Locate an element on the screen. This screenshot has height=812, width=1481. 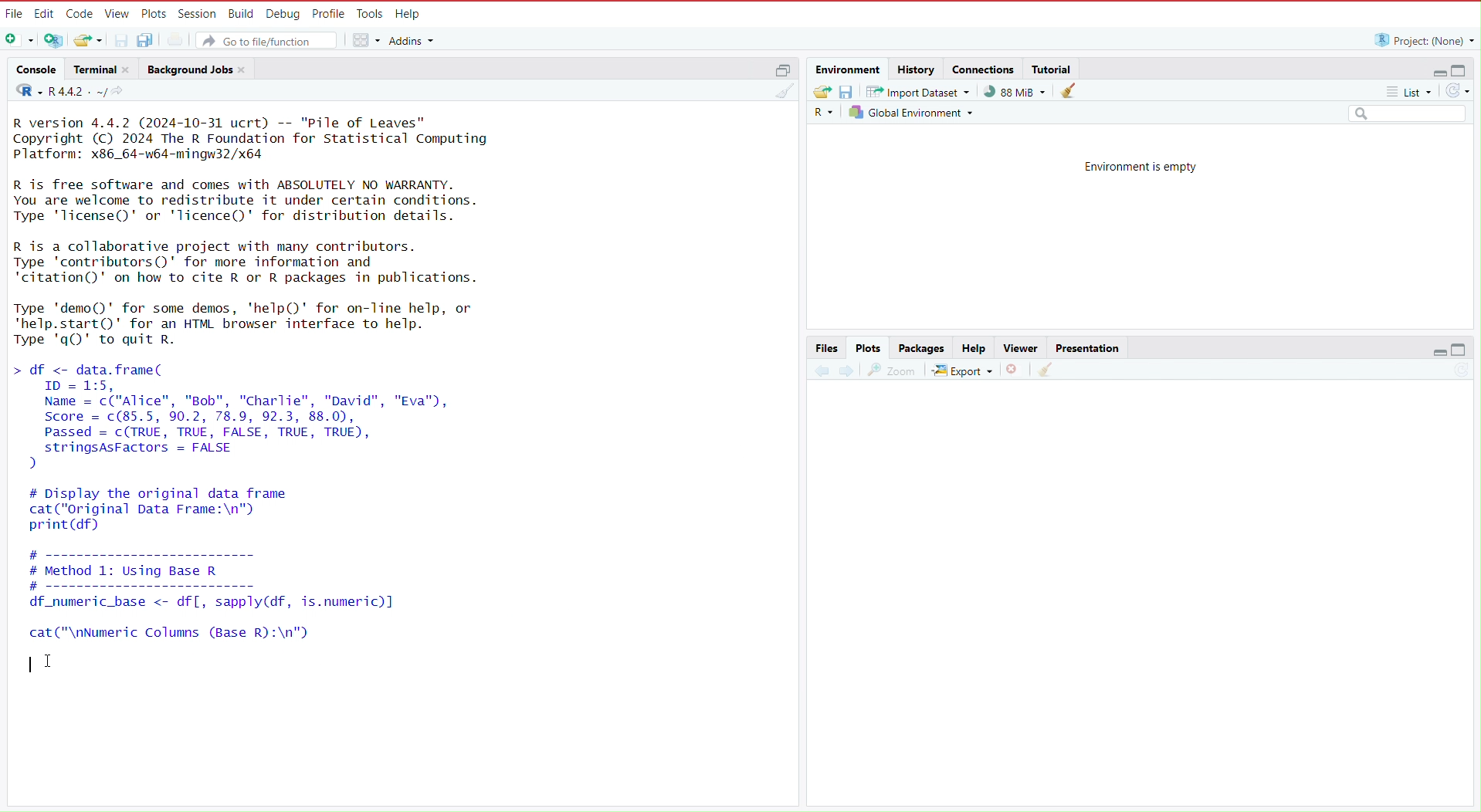
Open an existing file is located at coordinates (90, 40).